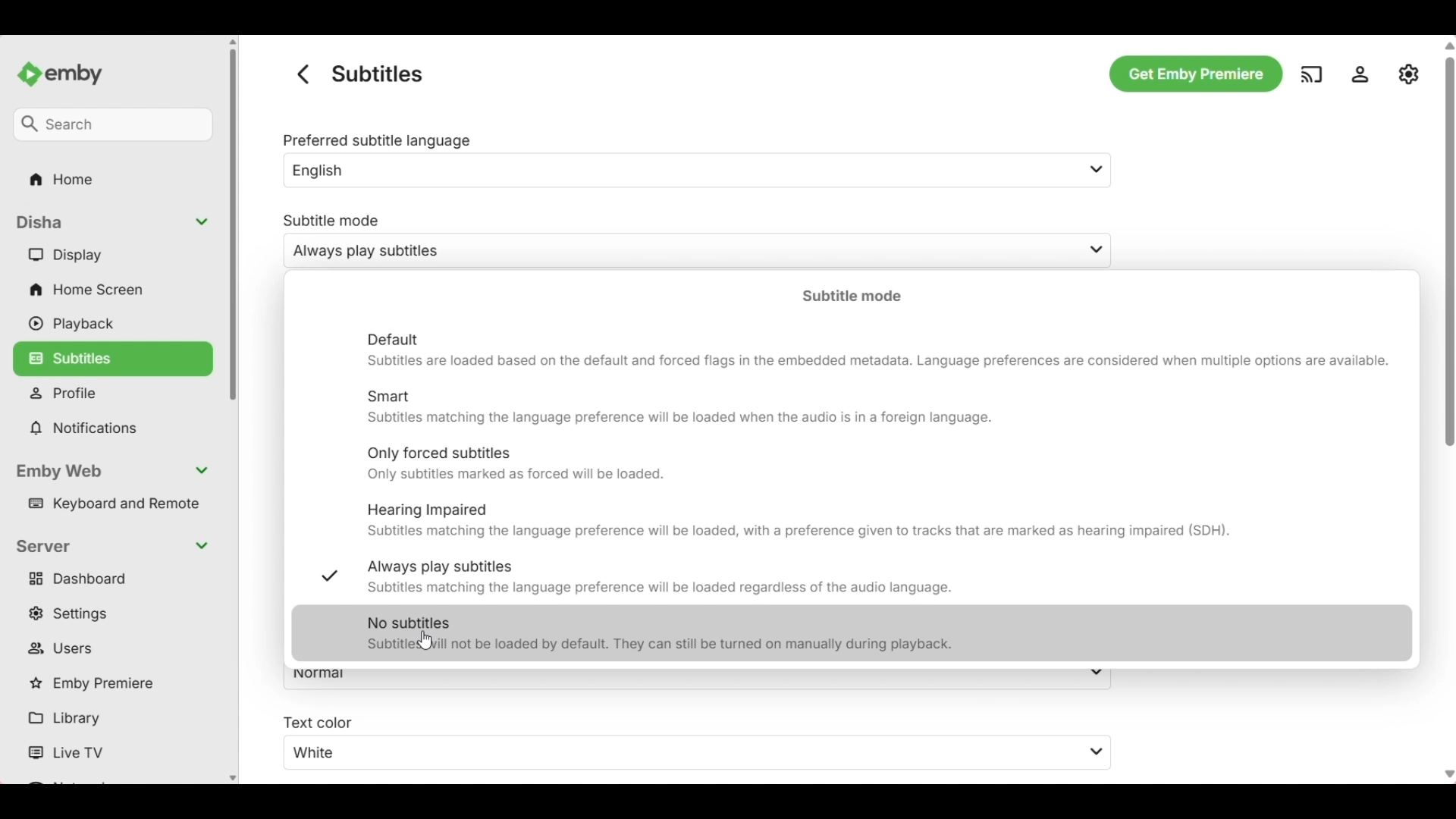 The image size is (1456, 819). I want to click on Quick slide to bottom of the left panel, so click(233, 779).